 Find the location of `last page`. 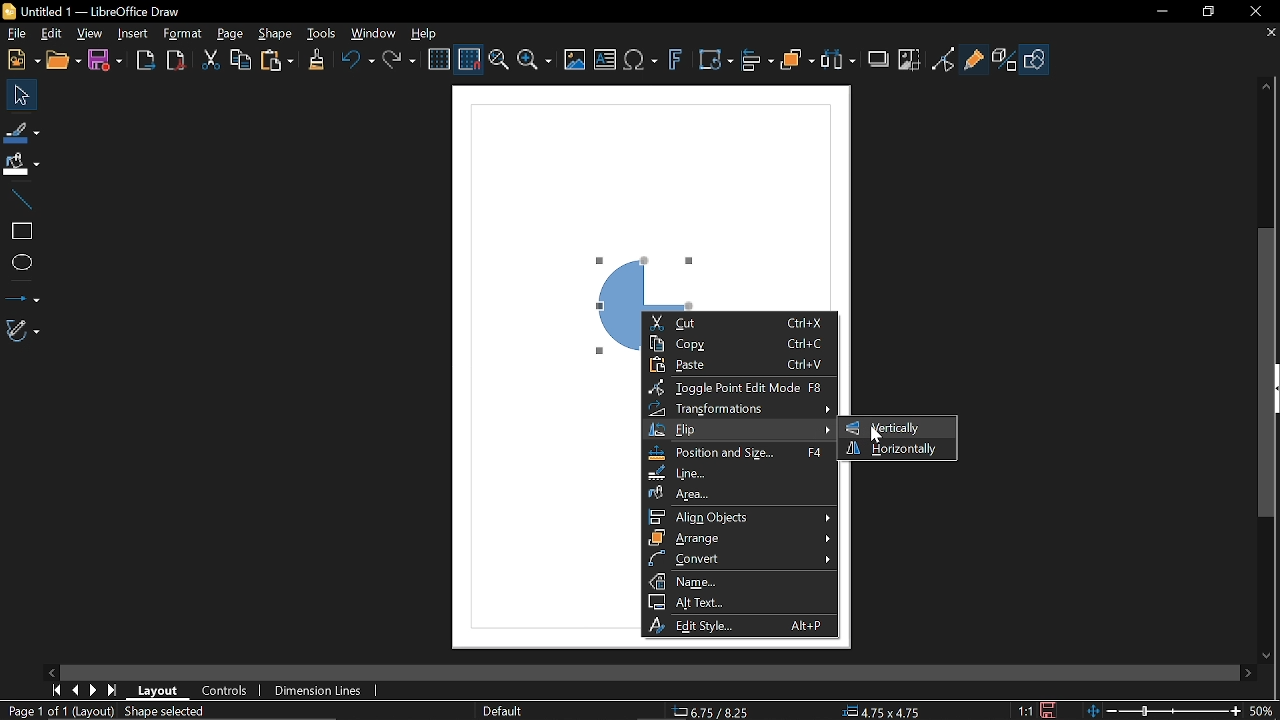

last page is located at coordinates (114, 691).